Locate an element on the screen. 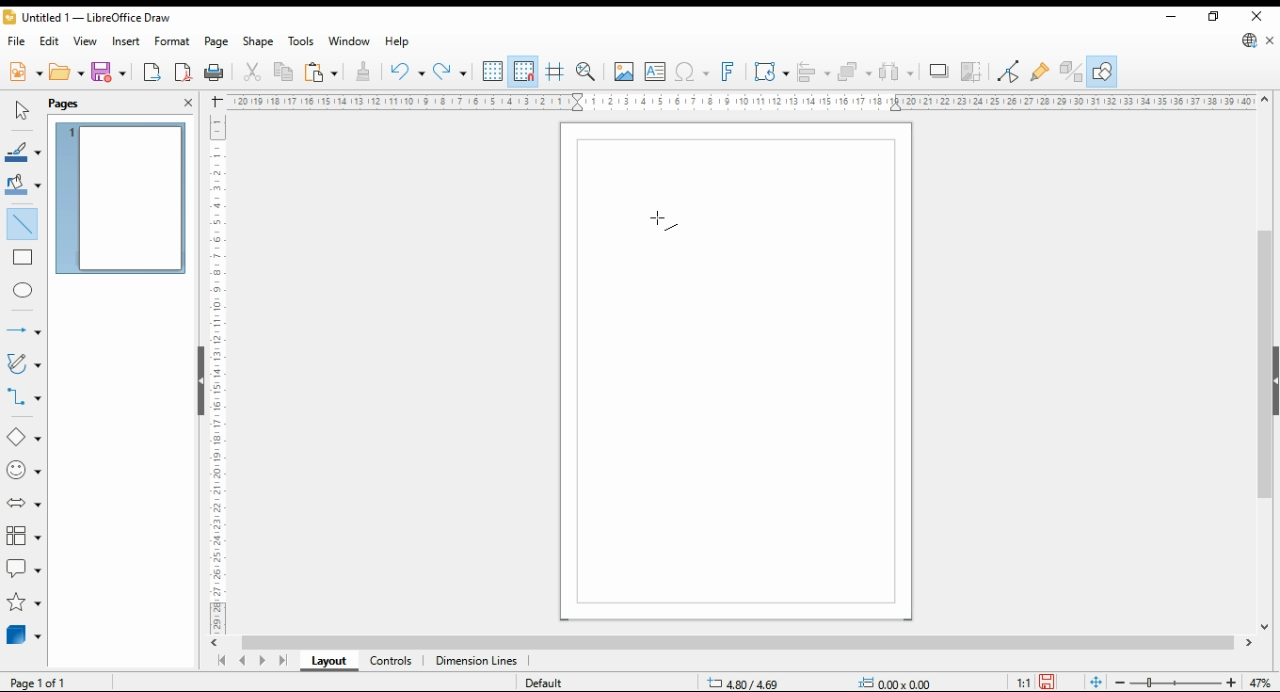 This screenshot has height=692, width=1280. default is located at coordinates (557, 684).